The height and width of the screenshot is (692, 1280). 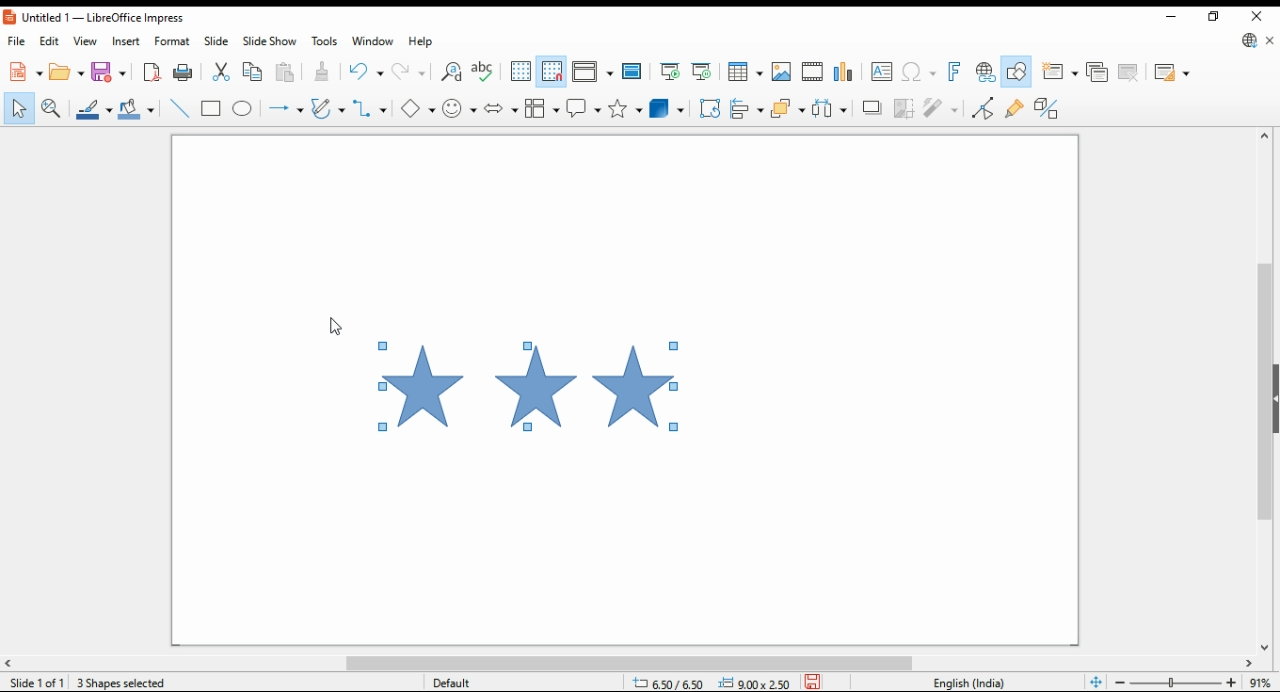 I want to click on toggle extrusions, so click(x=1050, y=108).